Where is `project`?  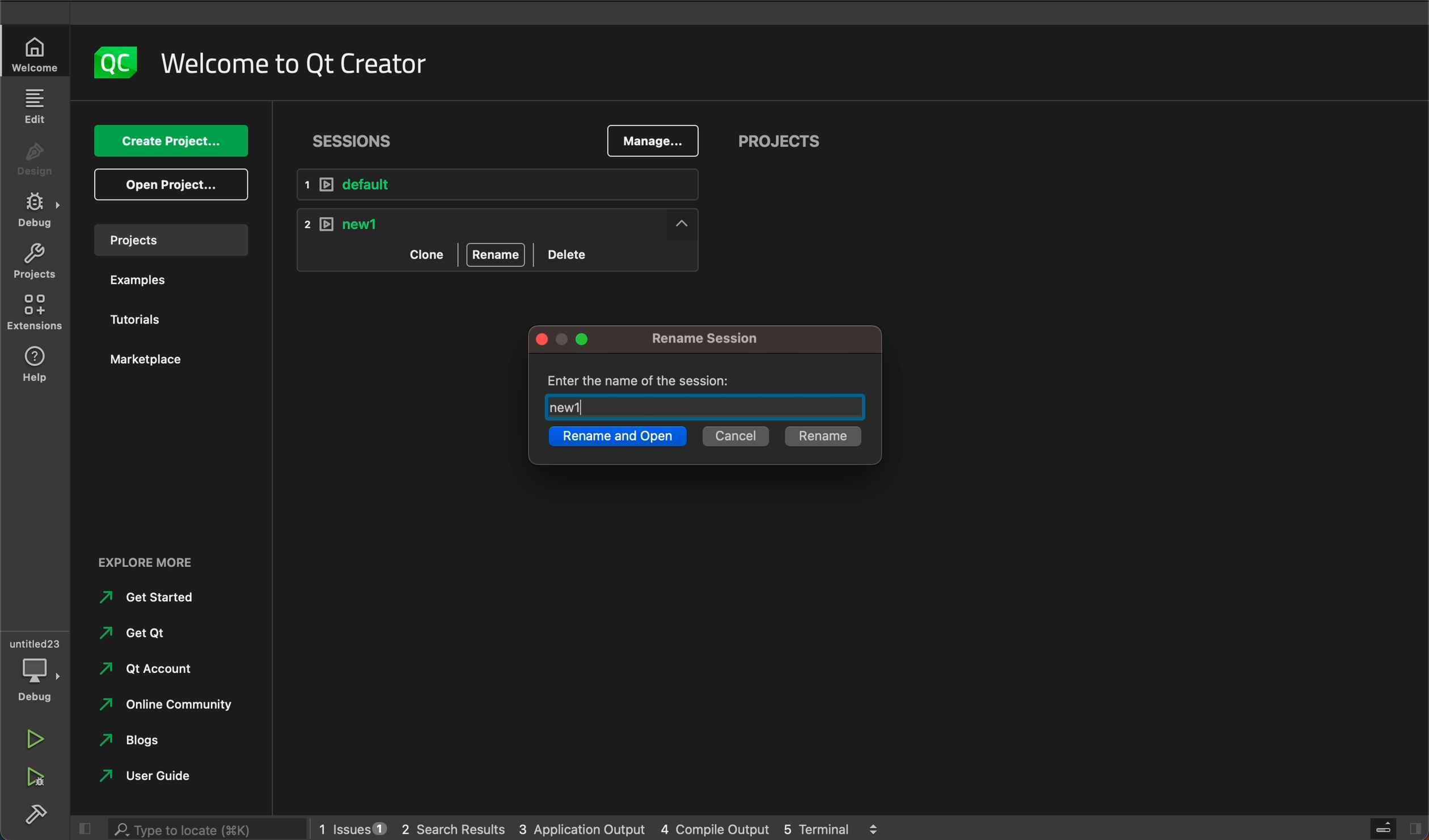
project is located at coordinates (34, 262).